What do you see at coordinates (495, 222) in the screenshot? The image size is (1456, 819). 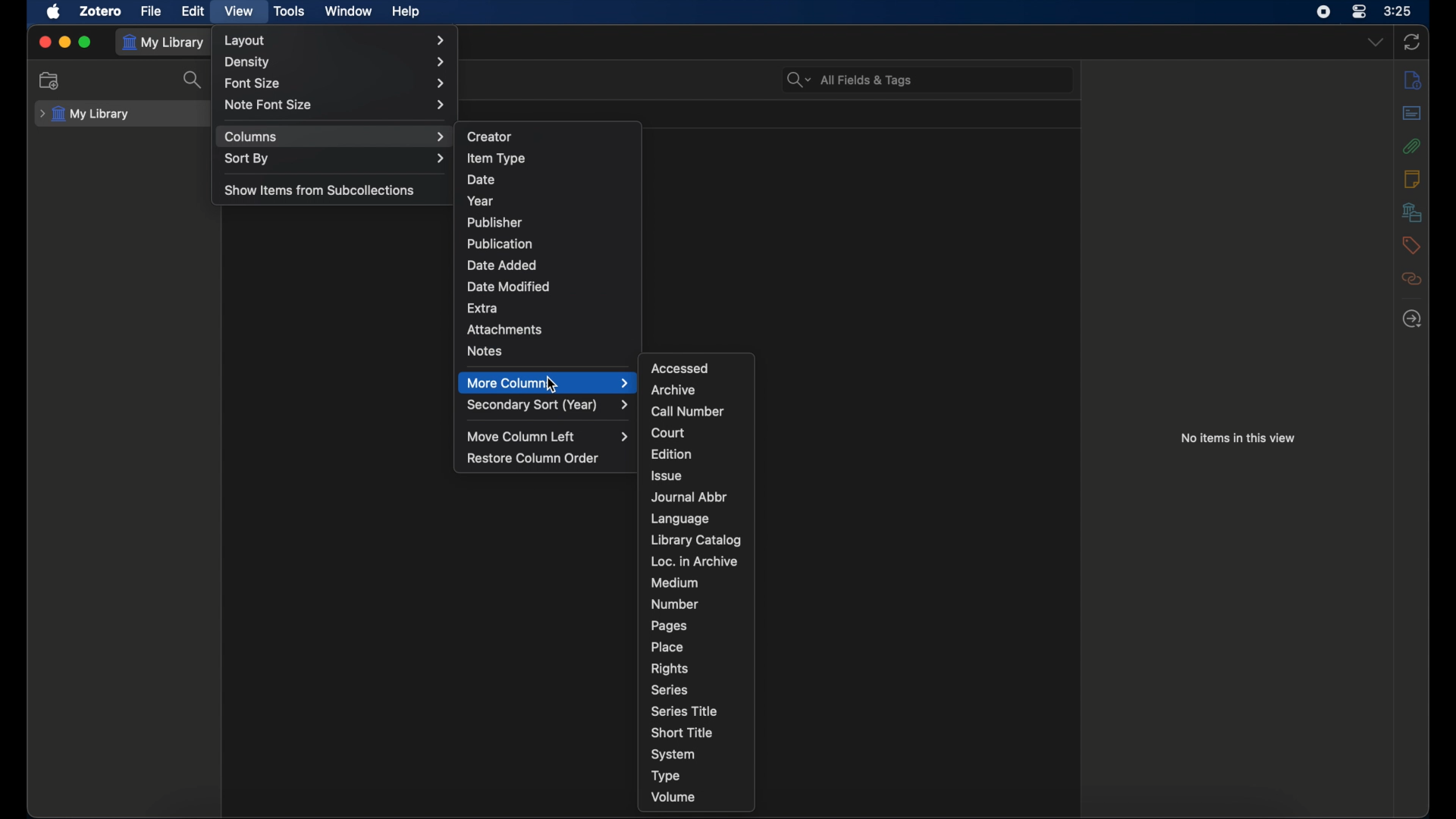 I see `publisher` at bounding box center [495, 222].